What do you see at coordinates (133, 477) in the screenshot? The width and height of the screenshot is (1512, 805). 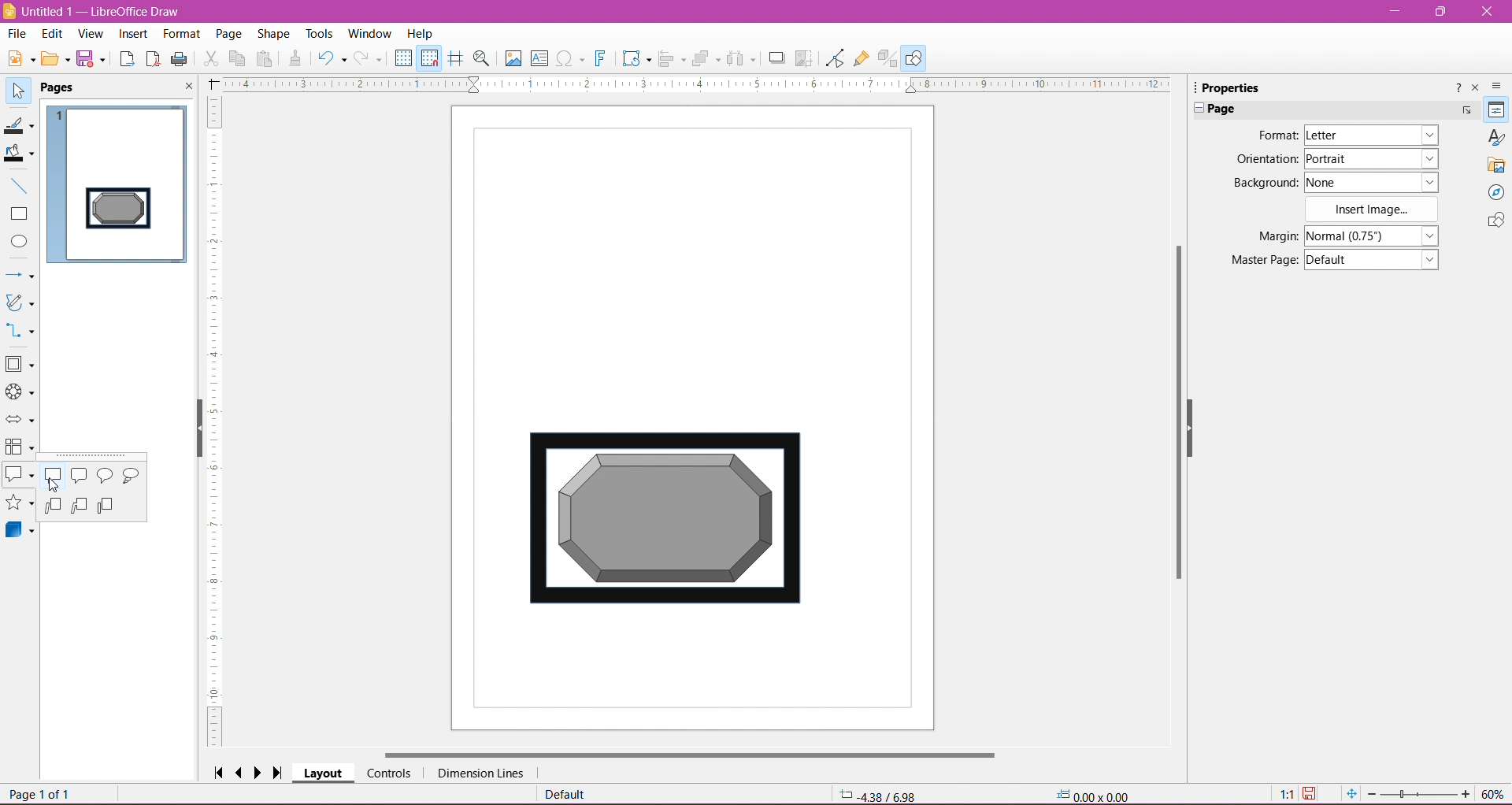 I see `Cloud` at bounding box center [133, 477].